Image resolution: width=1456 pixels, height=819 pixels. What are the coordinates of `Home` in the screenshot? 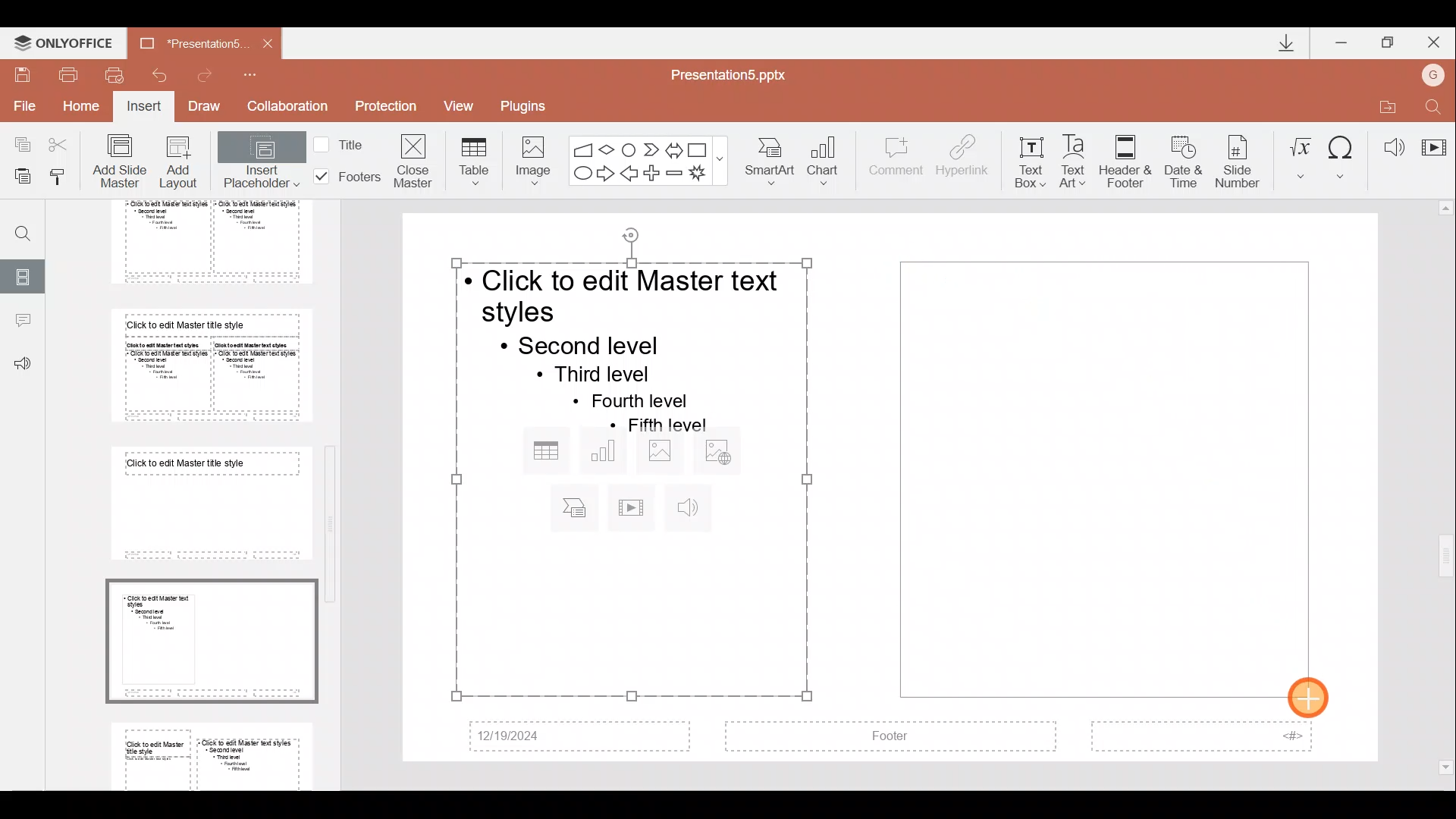 It's located at (83, 110).